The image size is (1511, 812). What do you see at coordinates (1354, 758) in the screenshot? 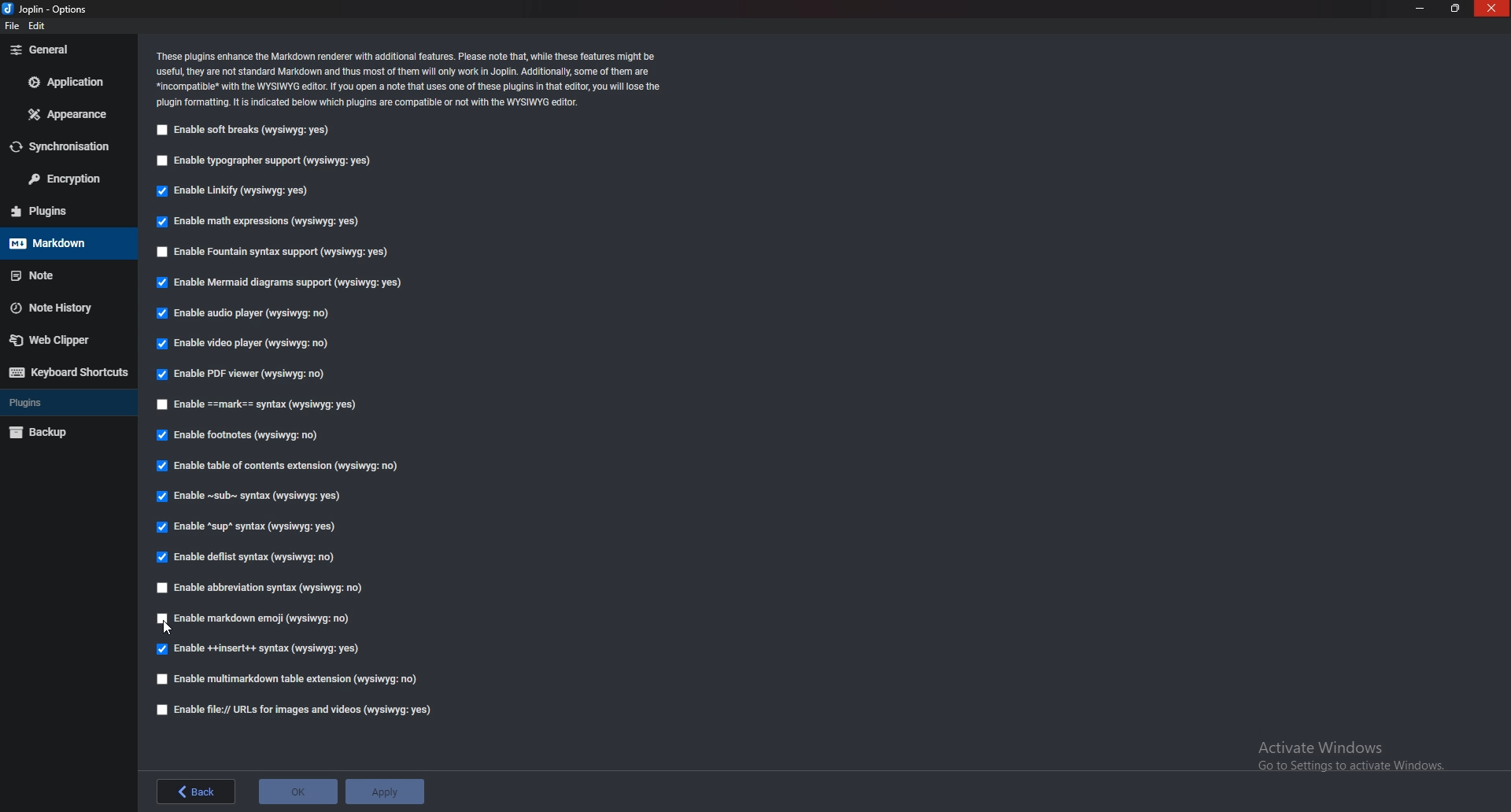
I see `activate windows message` at bounding box center [1354, 758].